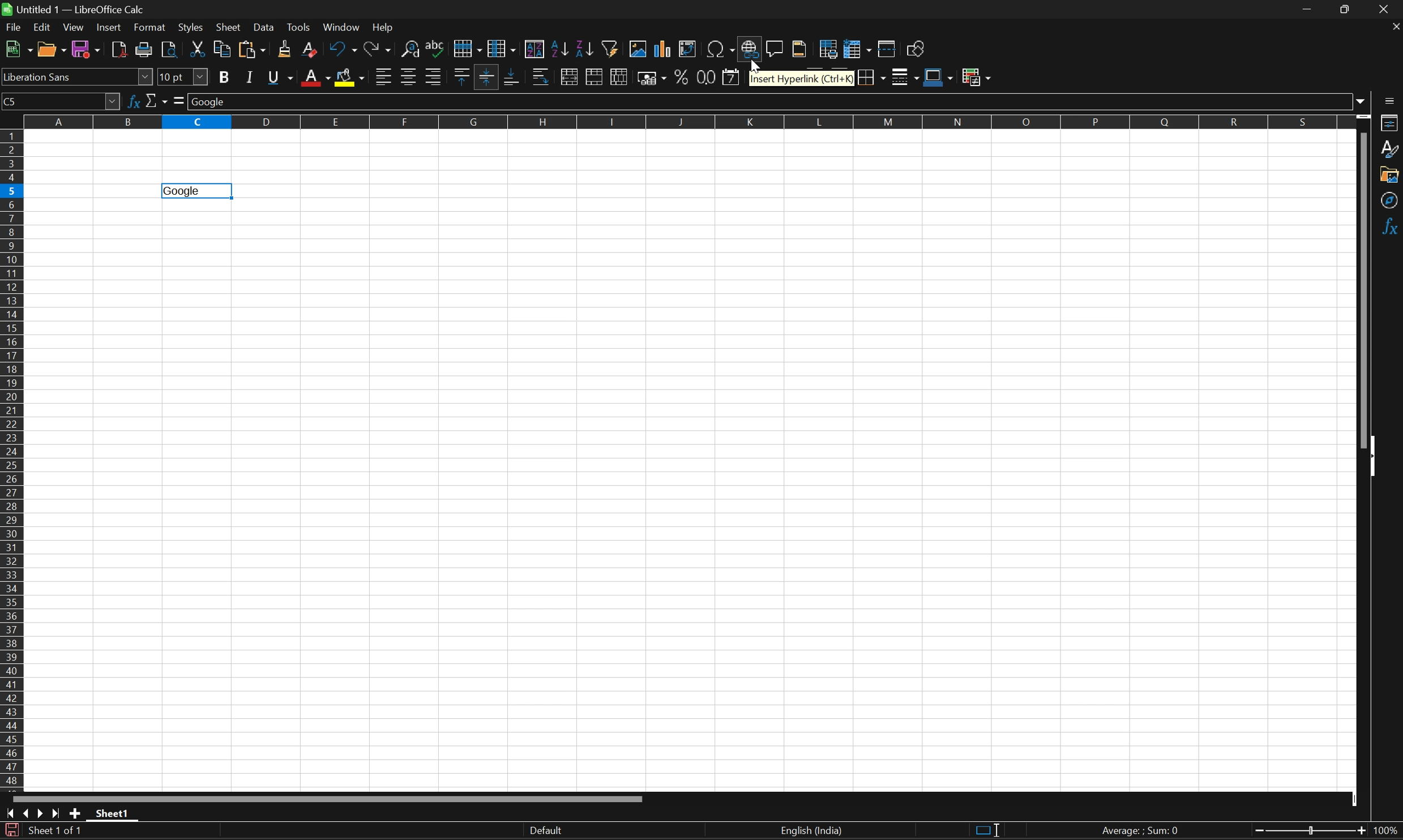  What do you see at coordinates (748, 49) in the screenshot?
I see `Insert hyperlink` at bounding box center [748, 49].